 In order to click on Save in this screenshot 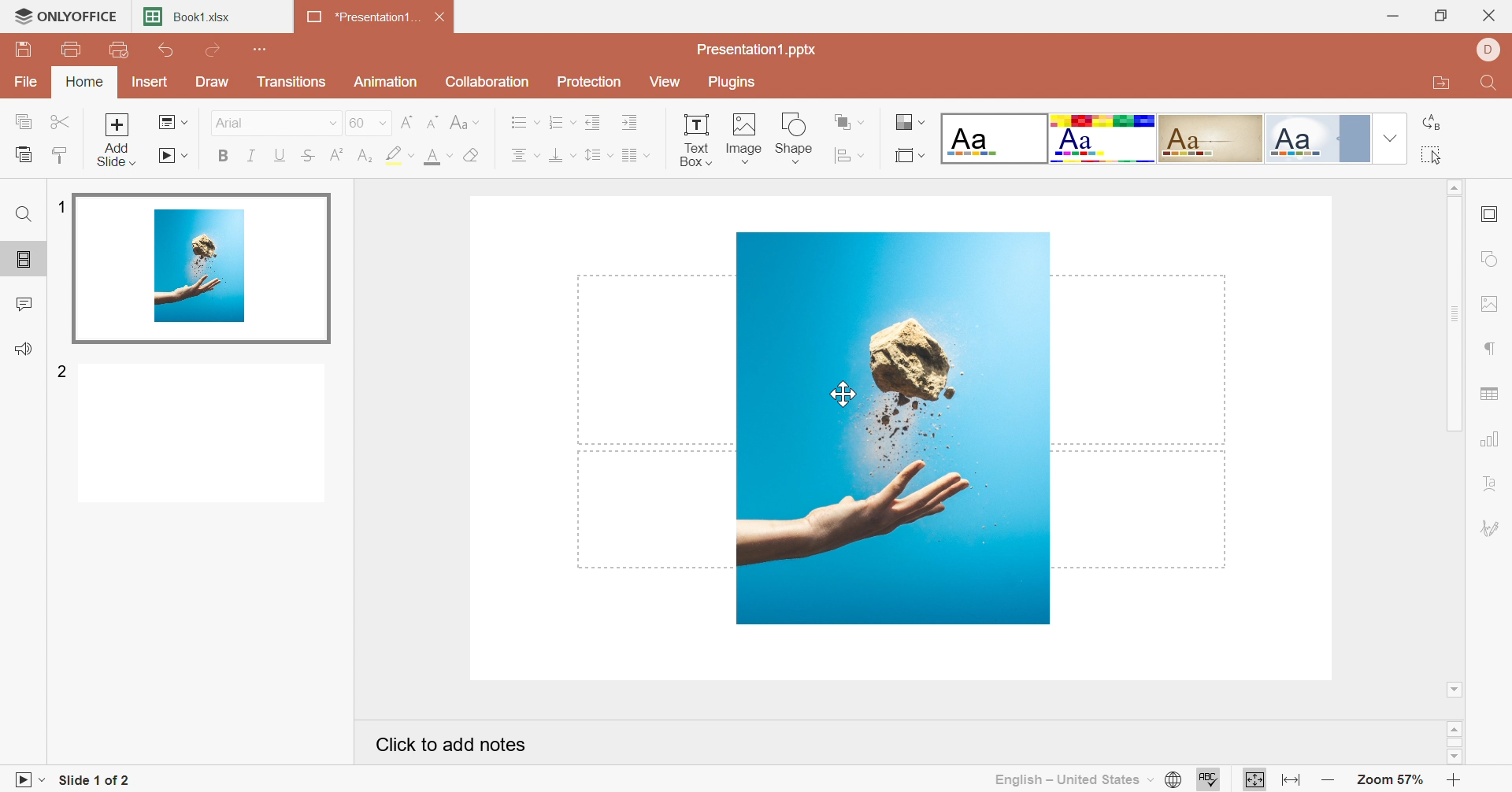, I will do `click(26, 52)`.